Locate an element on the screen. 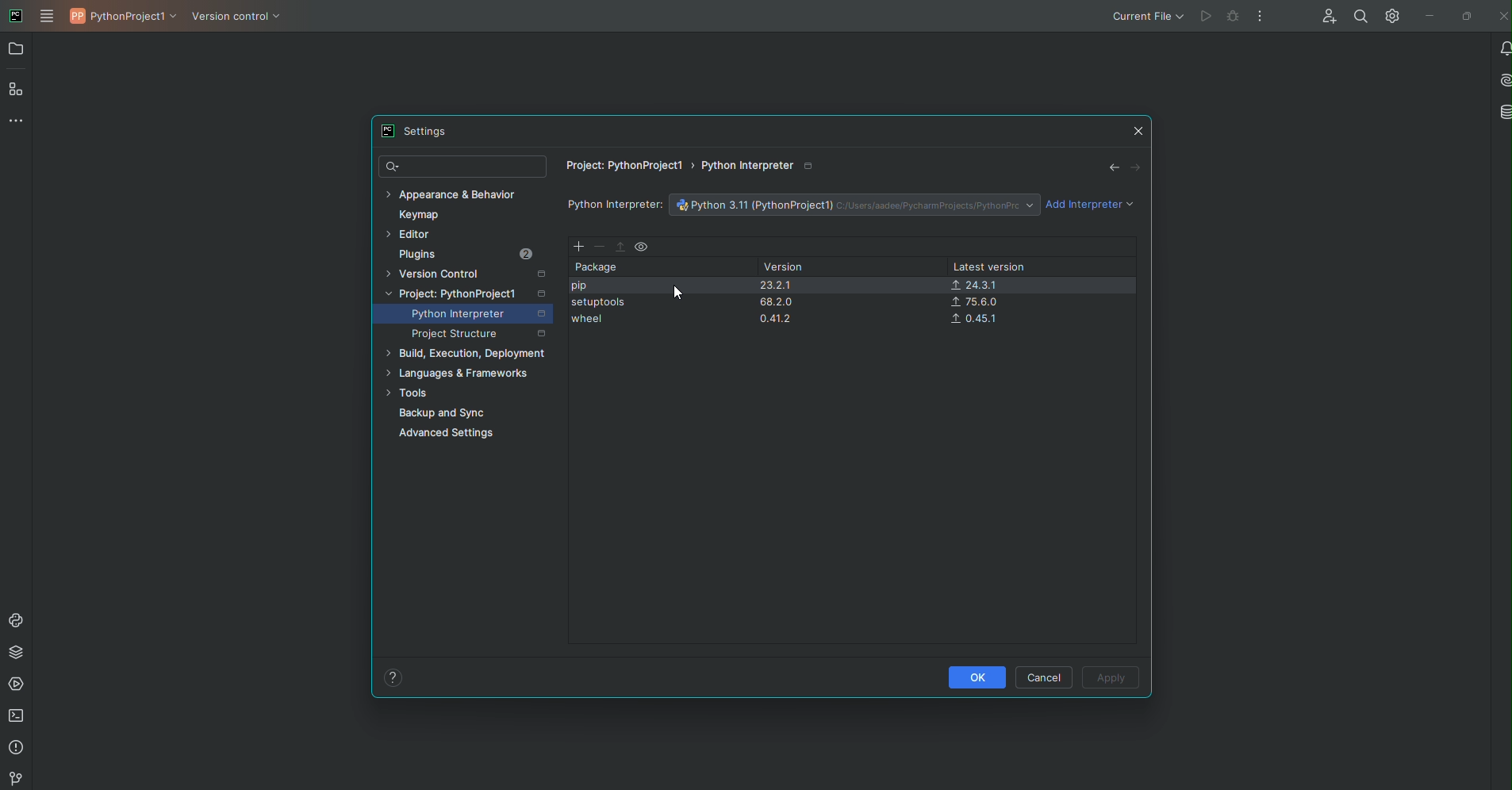 The image size is (1512, 790). Version Control is located at coordinates (241, 21).